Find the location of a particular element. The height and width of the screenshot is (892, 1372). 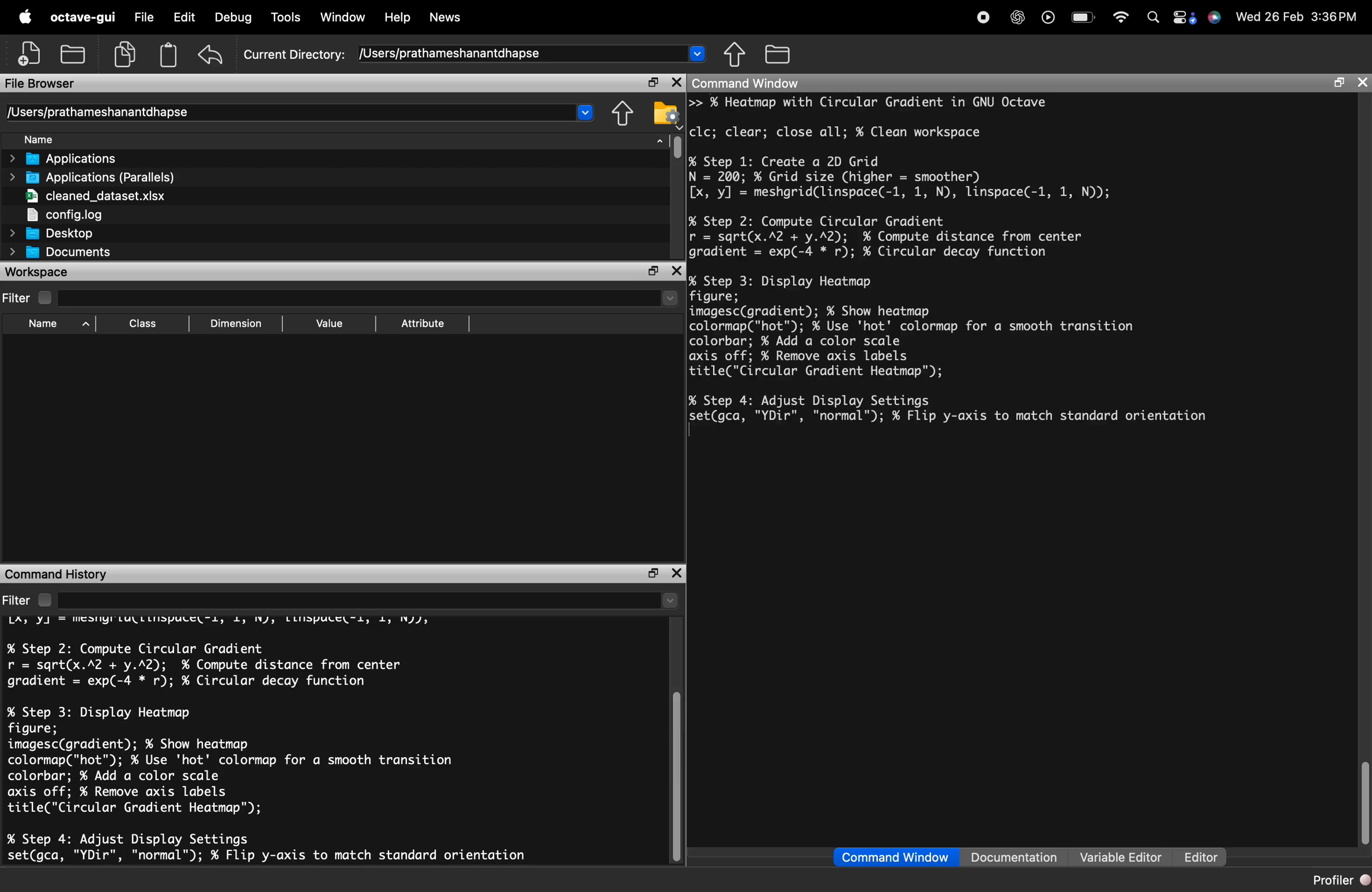

Command Window is located at coordinates (891, 857).